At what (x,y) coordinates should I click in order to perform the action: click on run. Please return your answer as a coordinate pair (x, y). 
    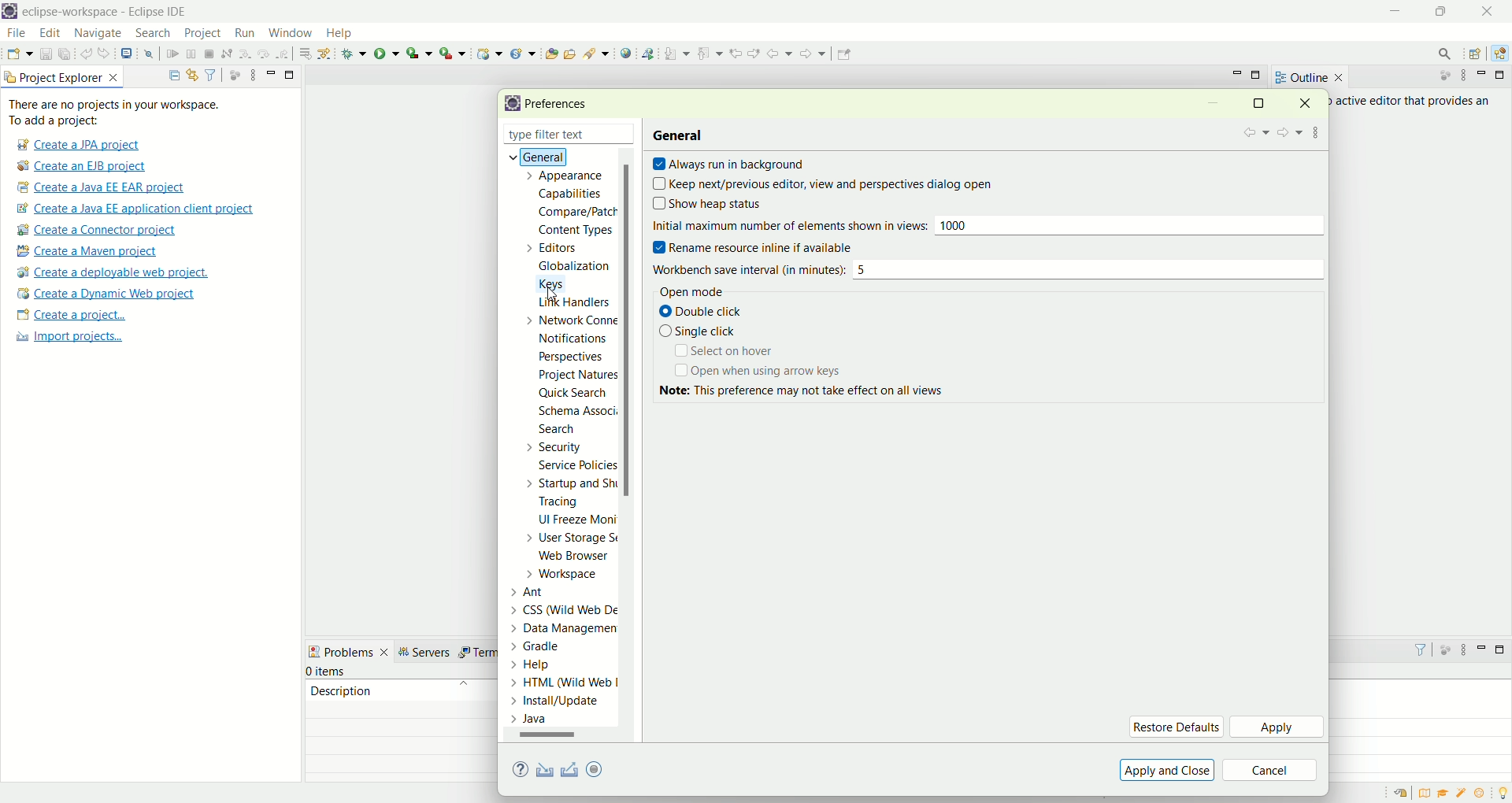
    Looking at the image, I should click on (387, 53).